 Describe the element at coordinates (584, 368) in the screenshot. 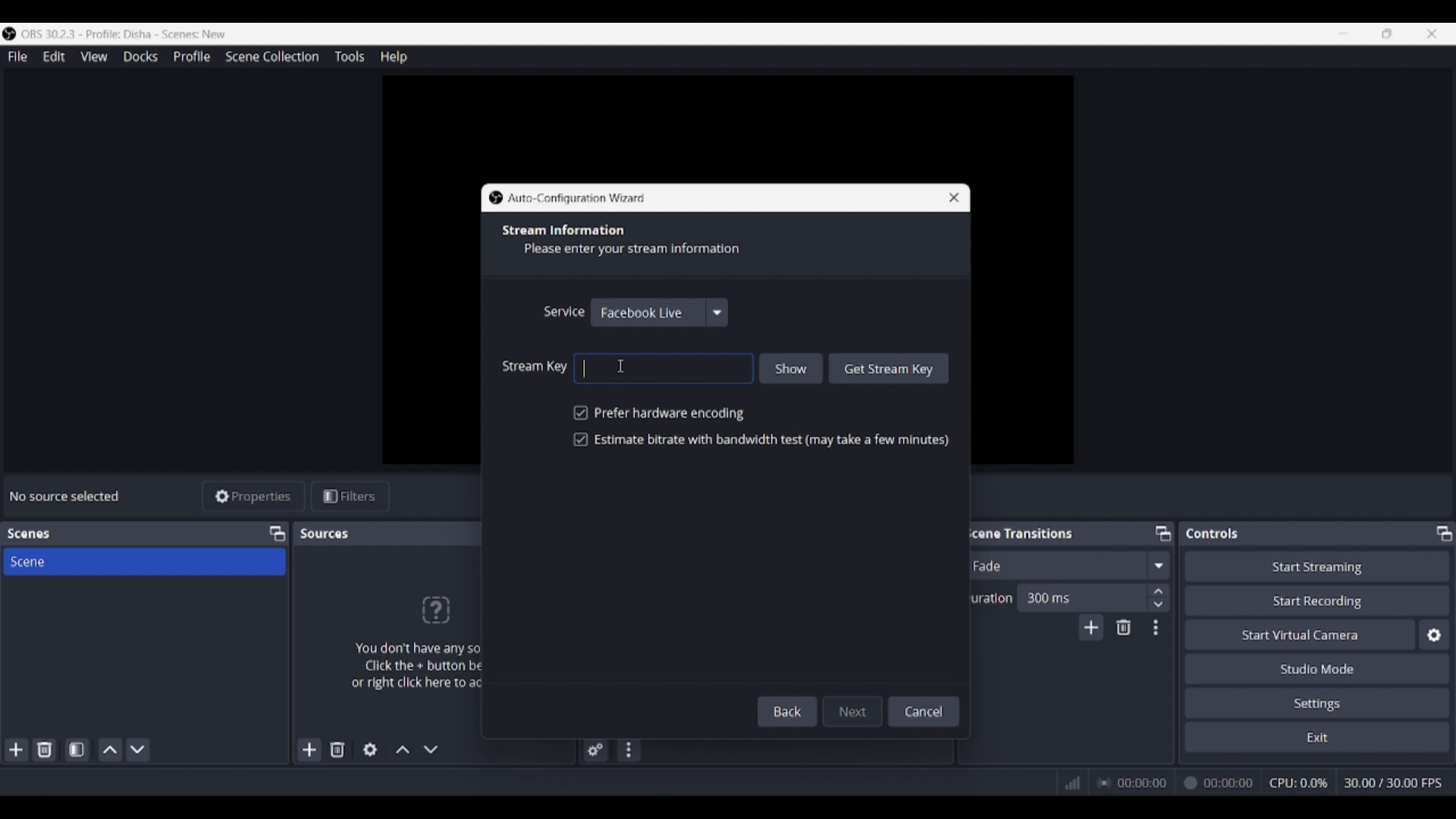

I see `Pasting stream key` at that location.